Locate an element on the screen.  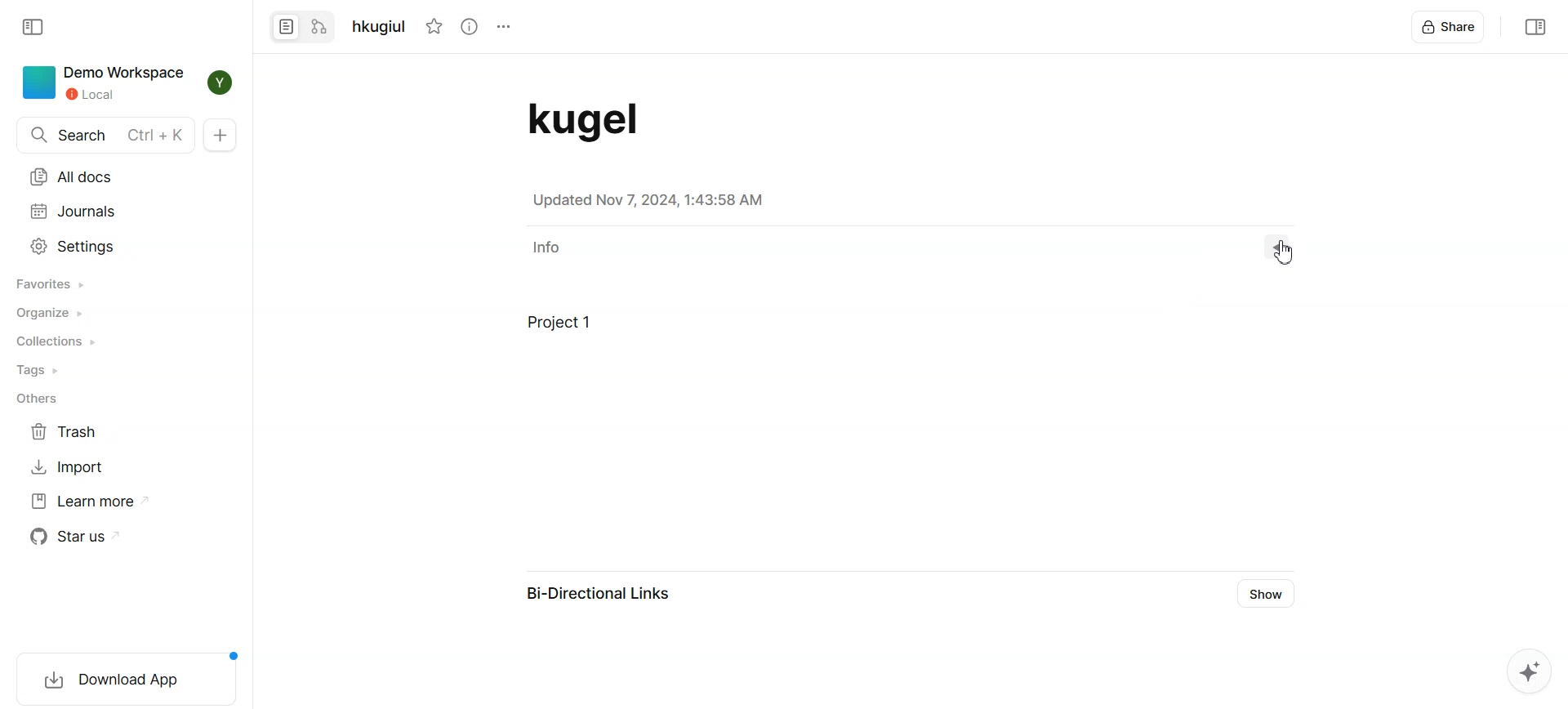
hkugiul is located at coordinates (383, 27).